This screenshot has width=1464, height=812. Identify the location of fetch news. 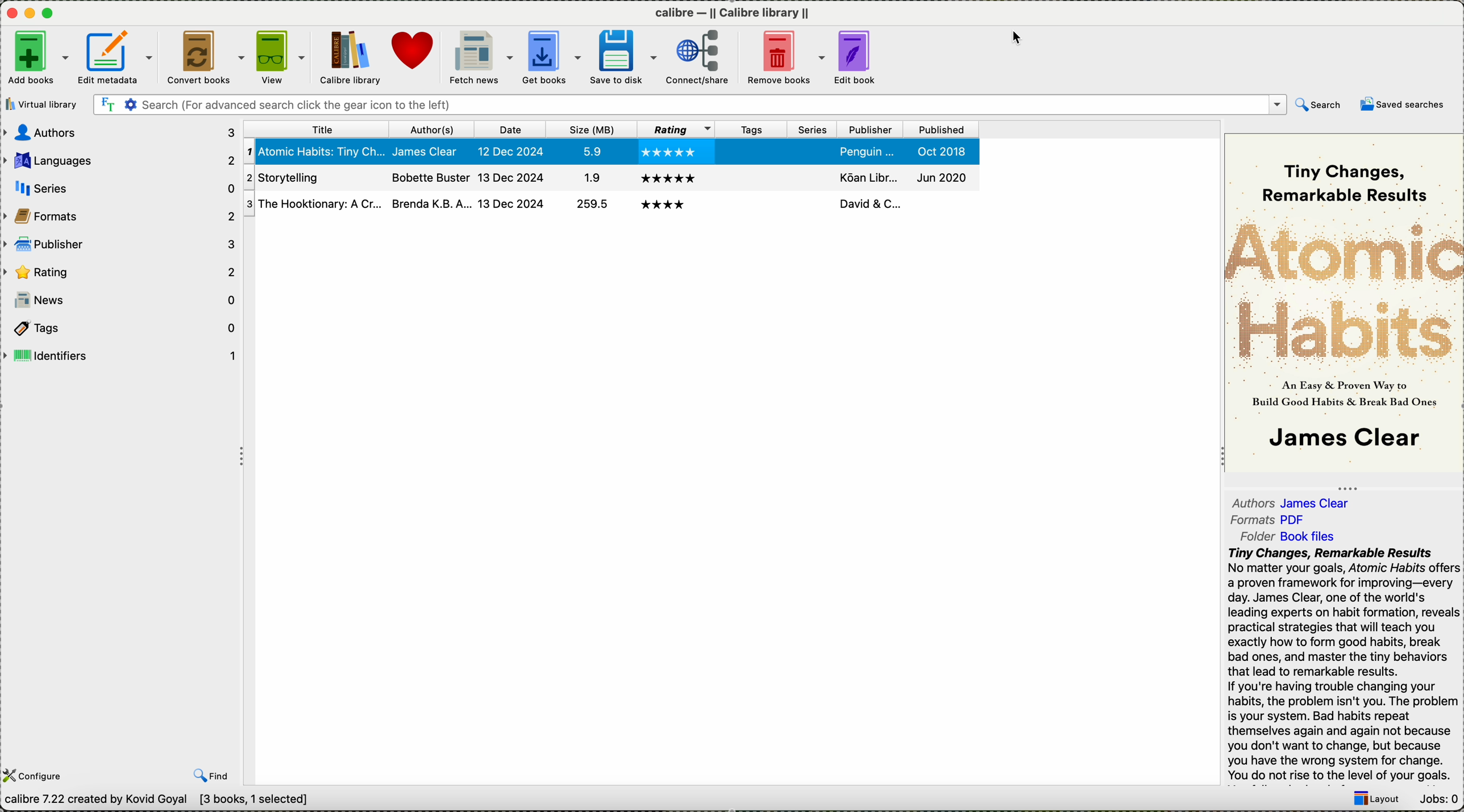
(479, 57).